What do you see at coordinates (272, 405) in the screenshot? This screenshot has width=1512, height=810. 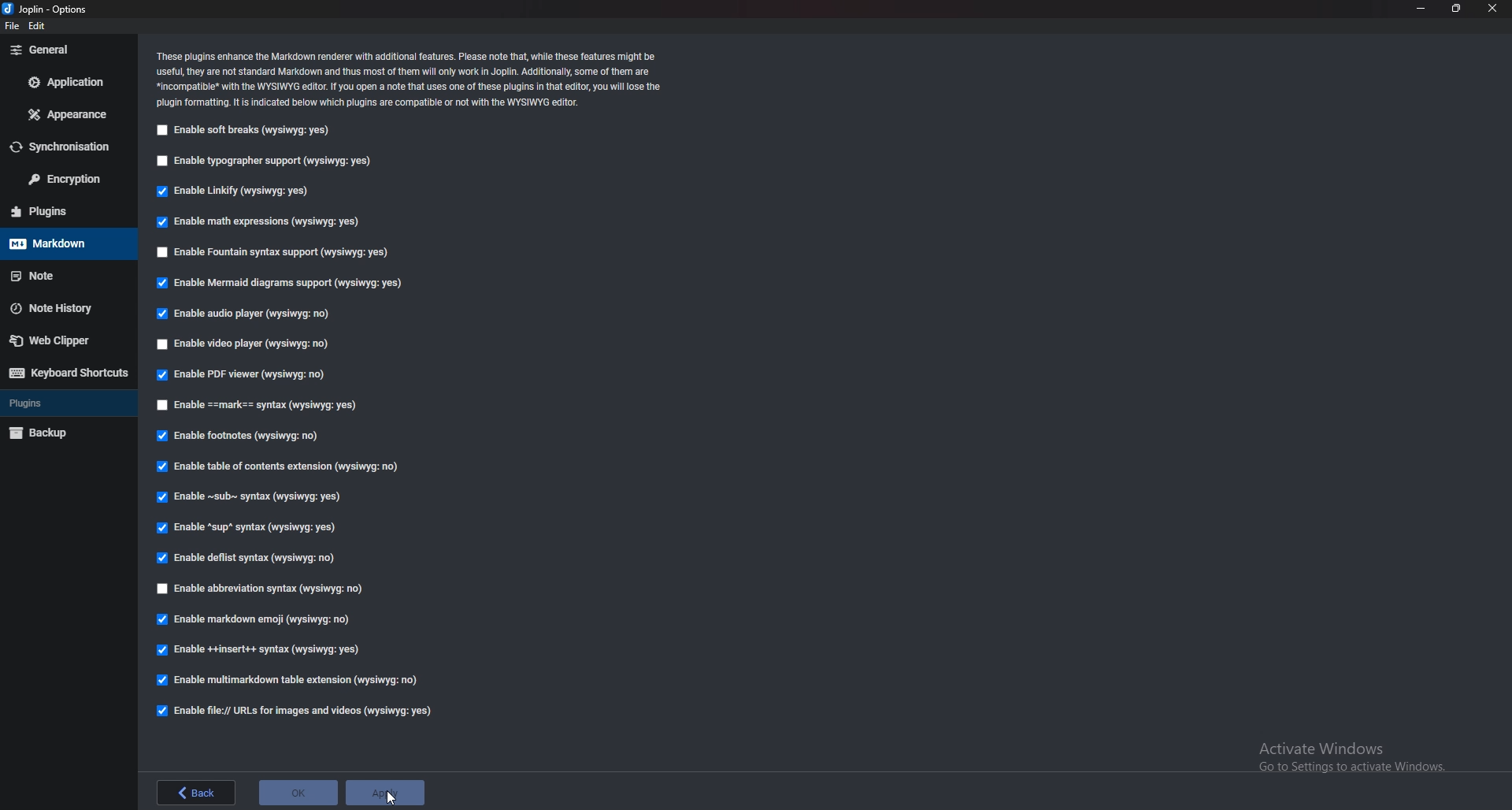 I see `enable Mark syntax` at bounding box center [272, 405].